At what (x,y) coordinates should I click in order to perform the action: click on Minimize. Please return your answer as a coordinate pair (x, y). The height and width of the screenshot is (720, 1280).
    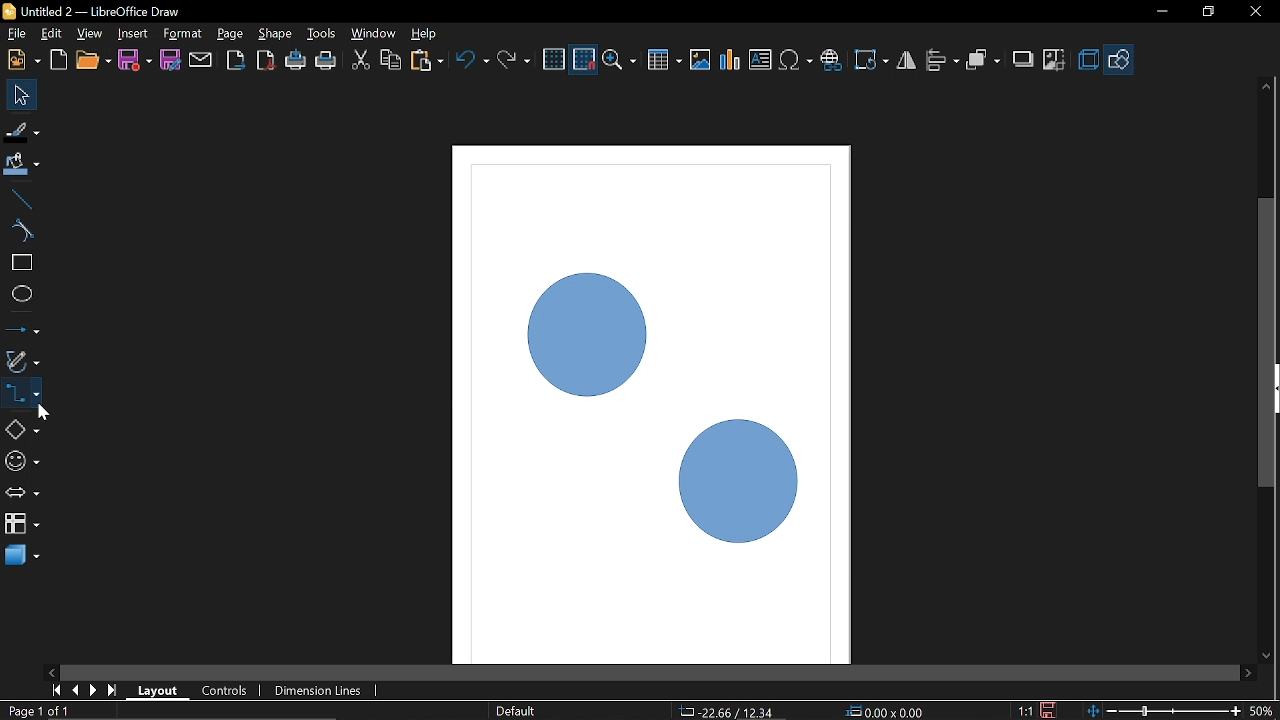
    Looking at the image, I should click on (1157, 15).